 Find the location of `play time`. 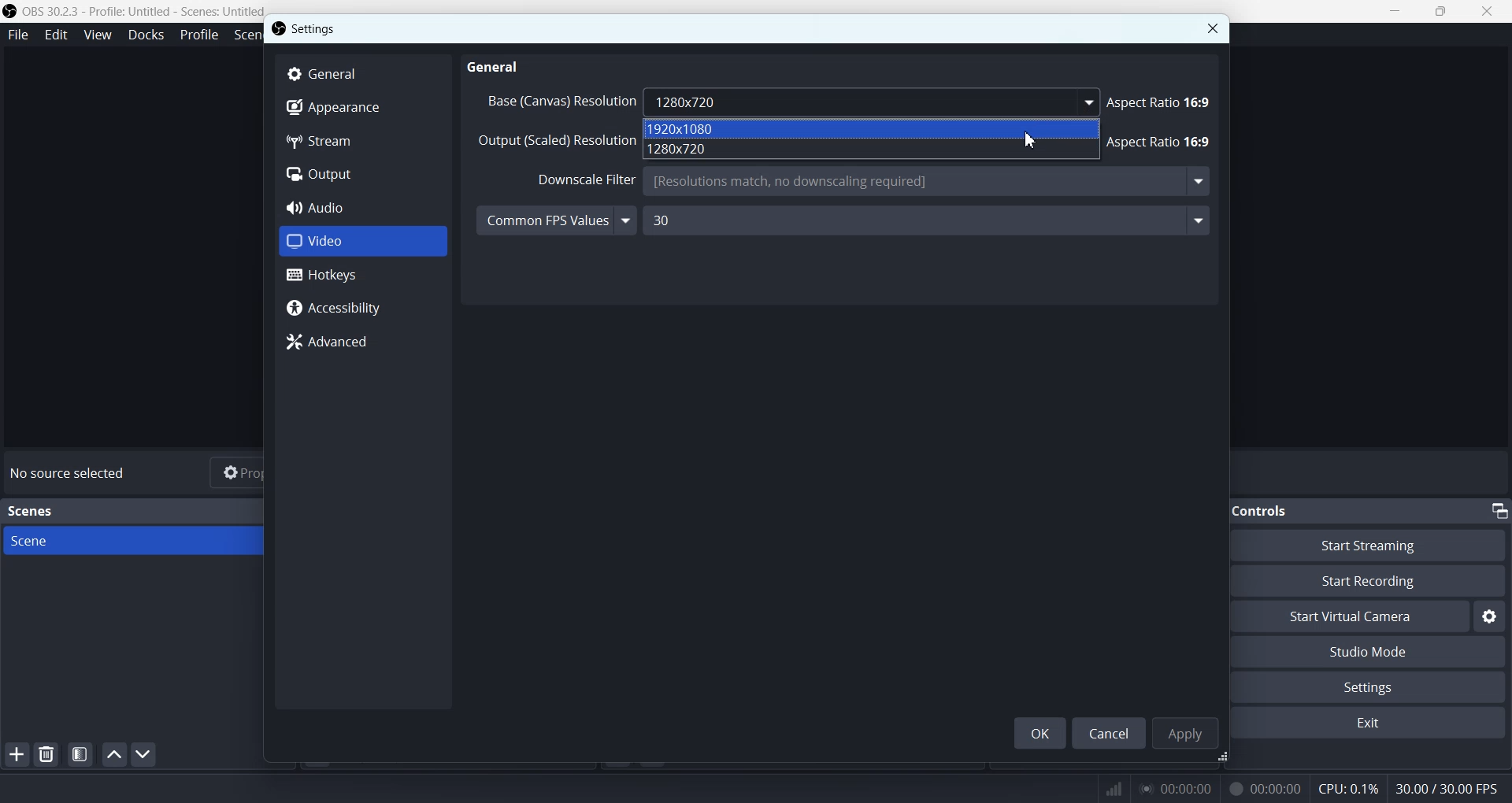

play time is located at coordinates (1177, 788).